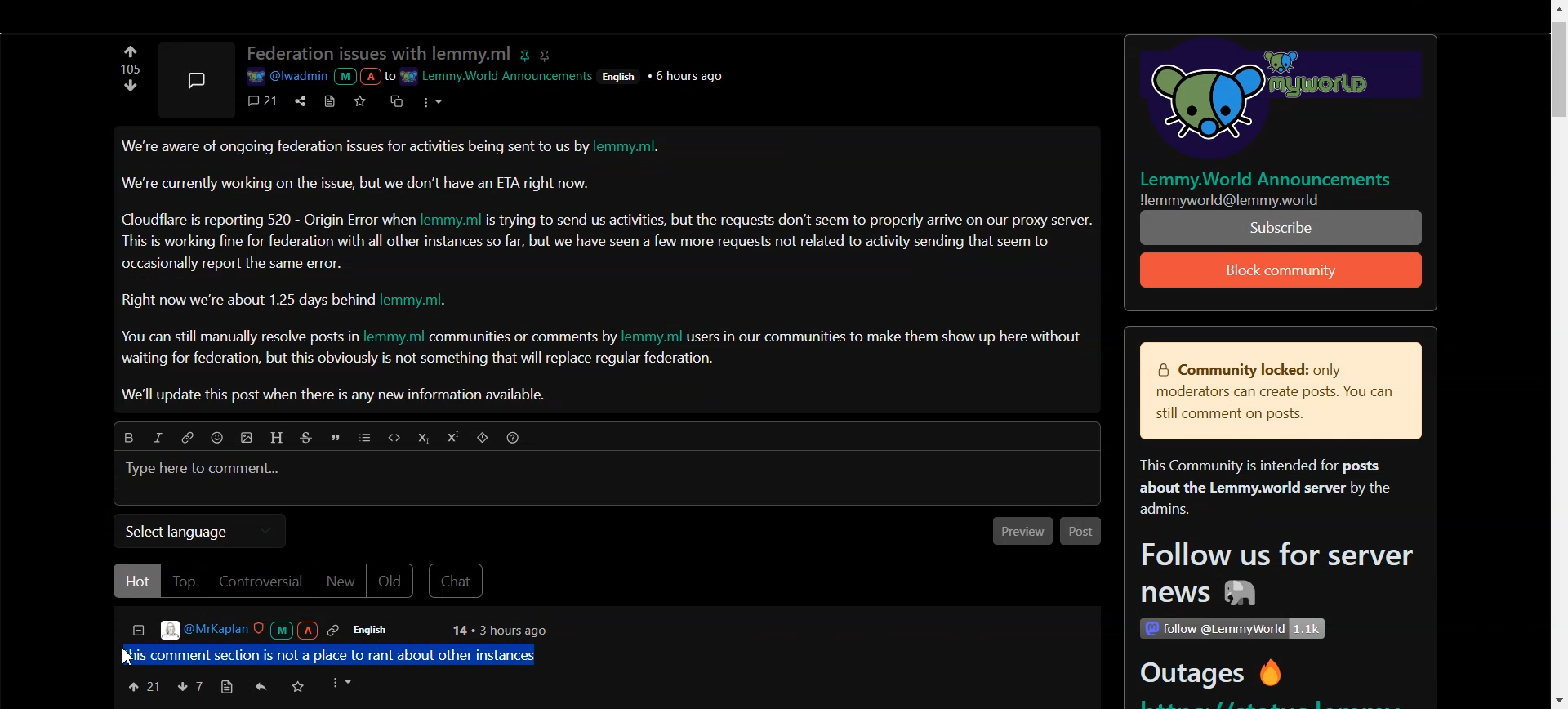 This screenshot has width=1568, height=709. Describe the element at coordinates (199, 531) in the screenshot. I see `Select language` at that location.